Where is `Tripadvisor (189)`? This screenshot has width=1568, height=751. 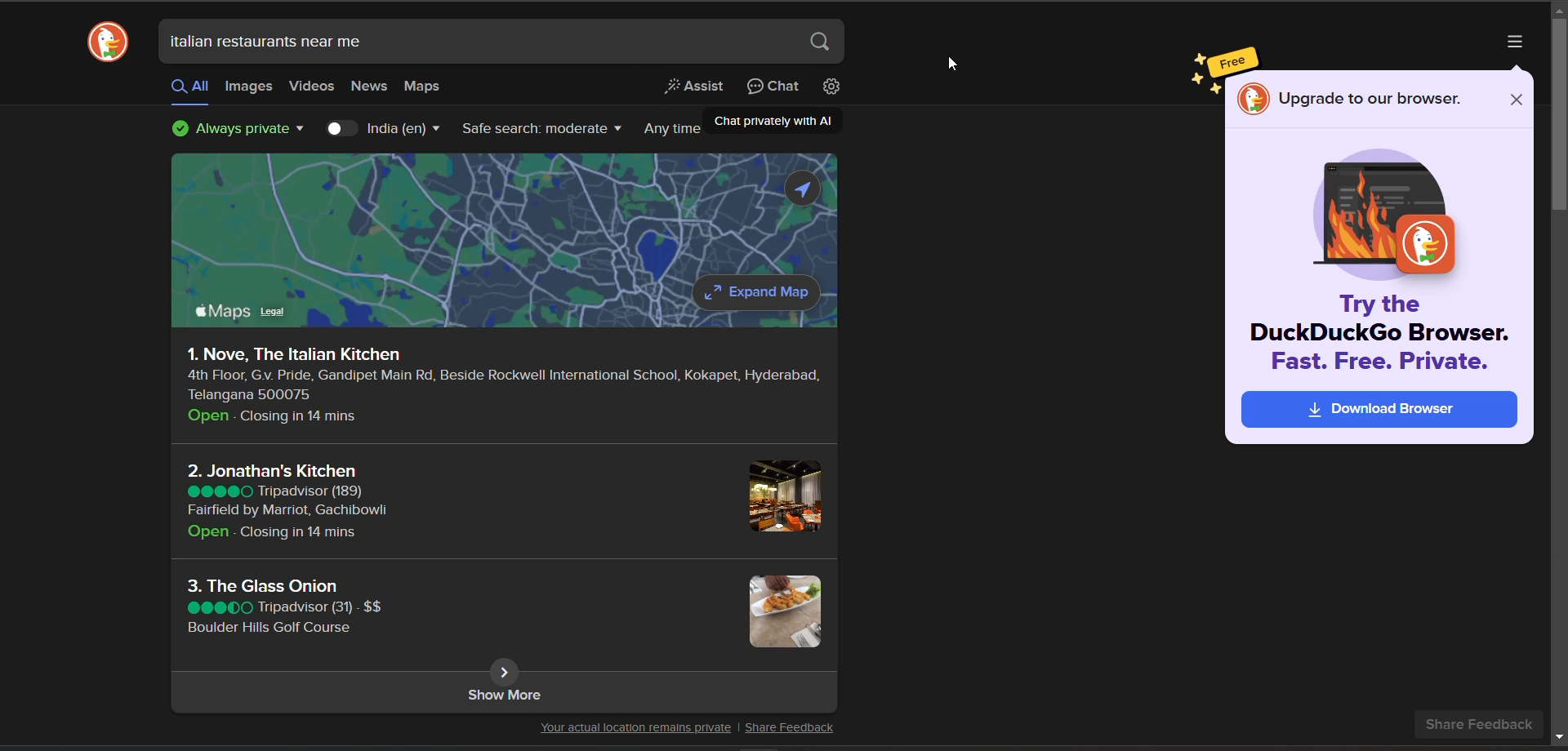 Tripadvisor (189) is located at coordinates (312, 491).